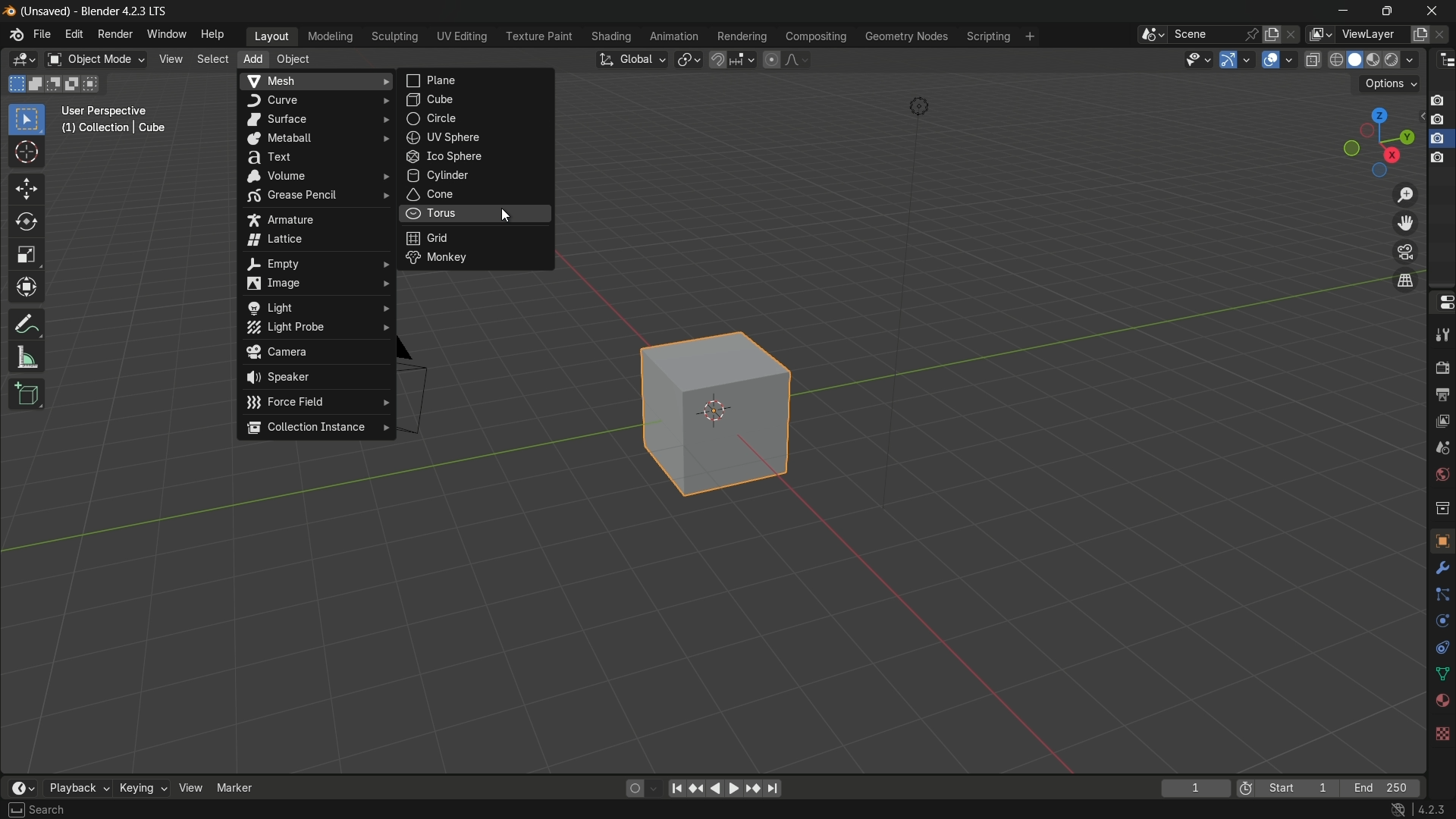 The image size is (1456, 819). What do you see at coordinates (479, 80) in the screenshot?
I see `plane` at bounding box center [479, 80].